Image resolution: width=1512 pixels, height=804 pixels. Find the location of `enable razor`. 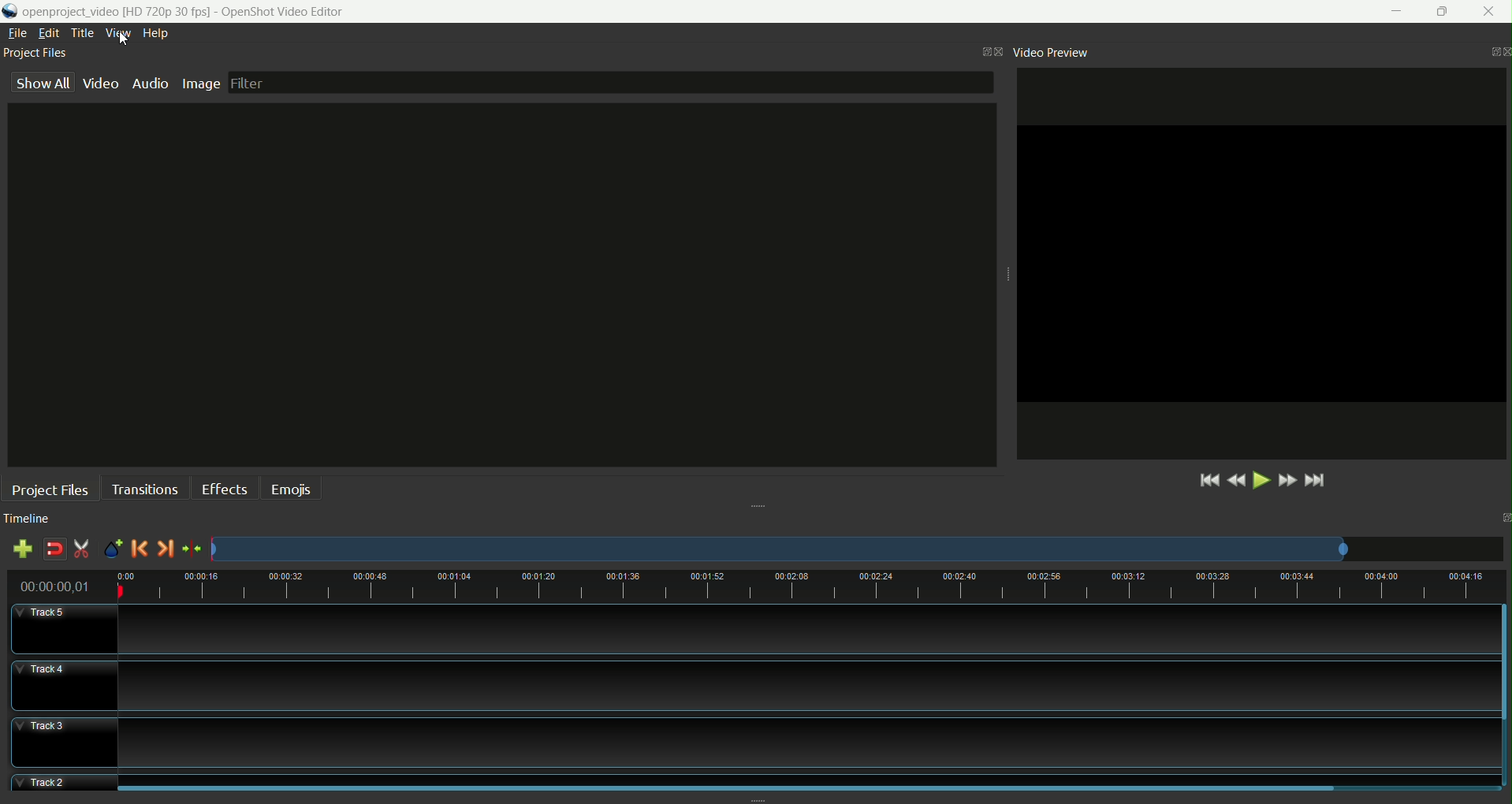

enable razor is located at coordinates (83, 549).